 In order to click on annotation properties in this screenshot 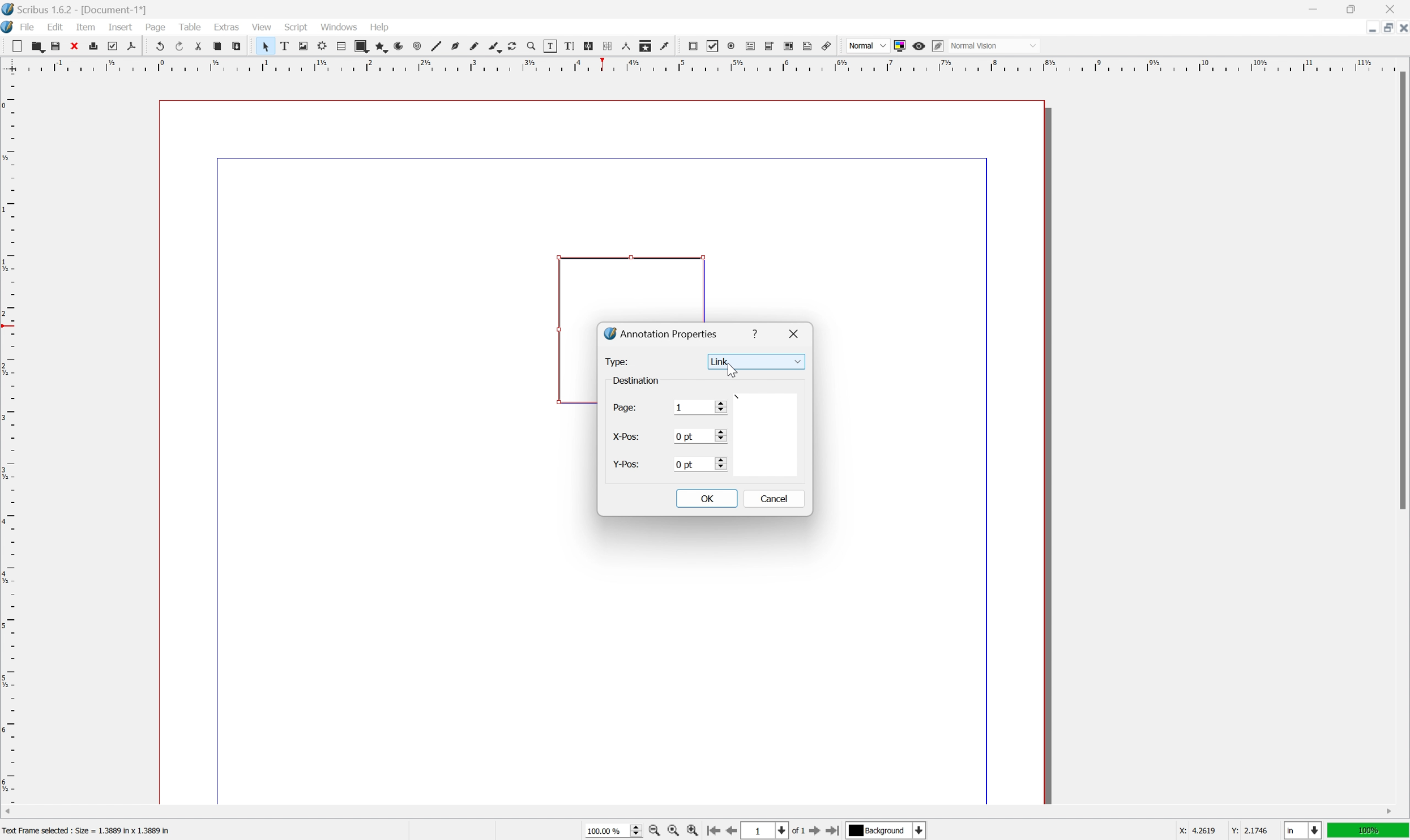, I will do `click(661, 333)`.